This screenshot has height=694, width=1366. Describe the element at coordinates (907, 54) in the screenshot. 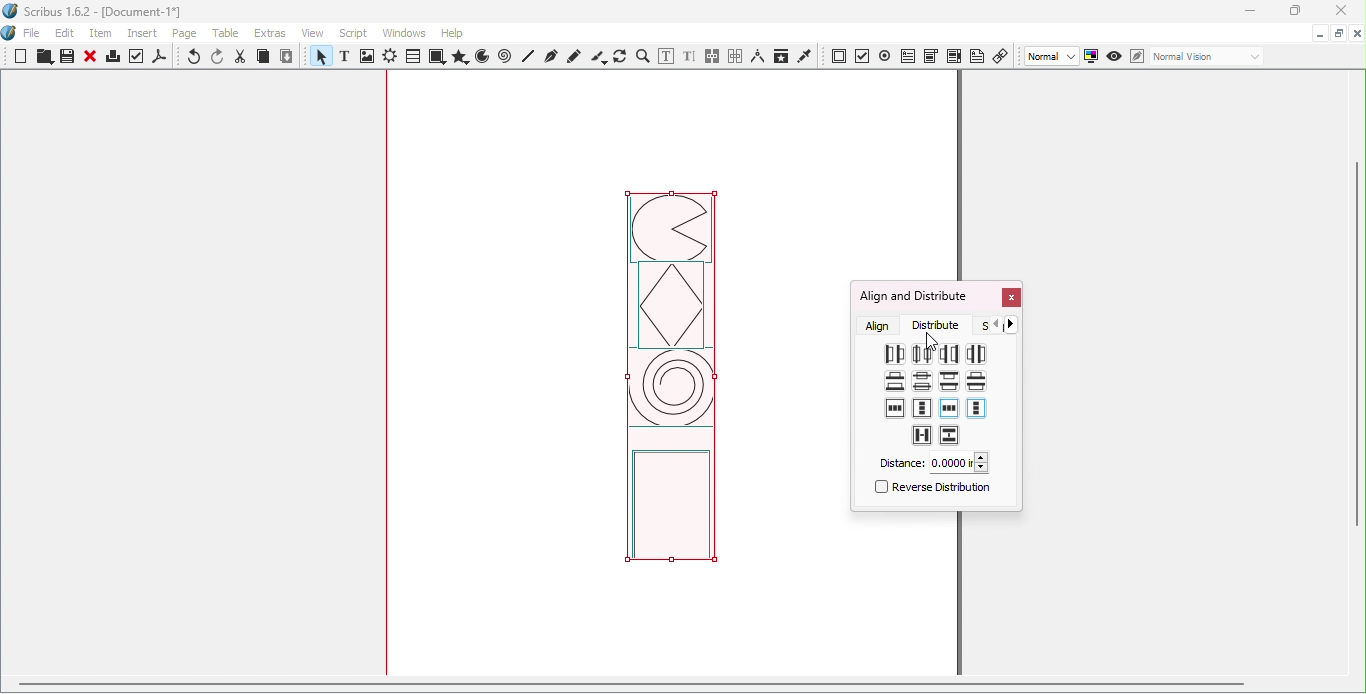

I see `PDF text field` at that location.